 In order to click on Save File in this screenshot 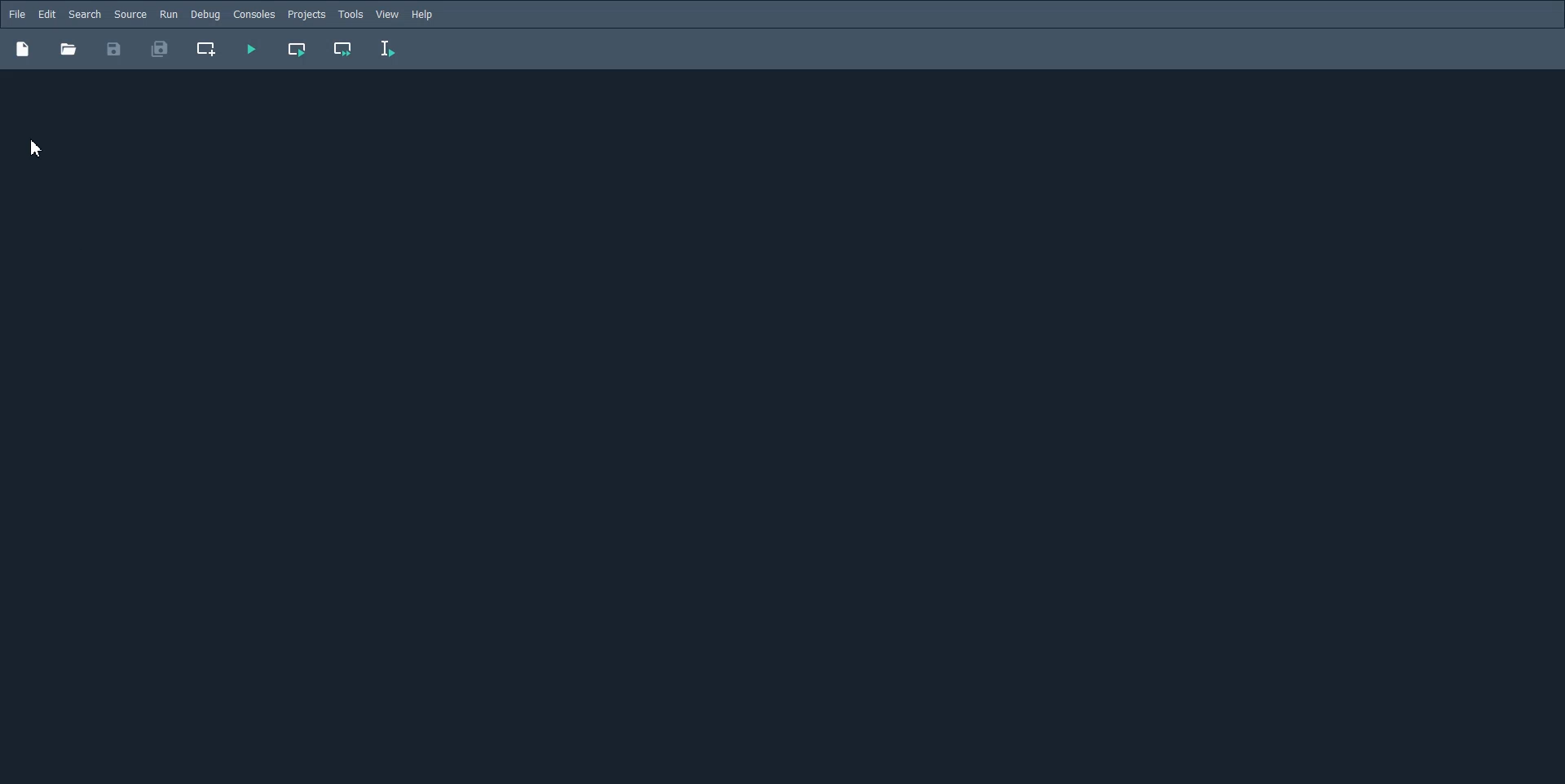, I will do `click(114, 49)`.